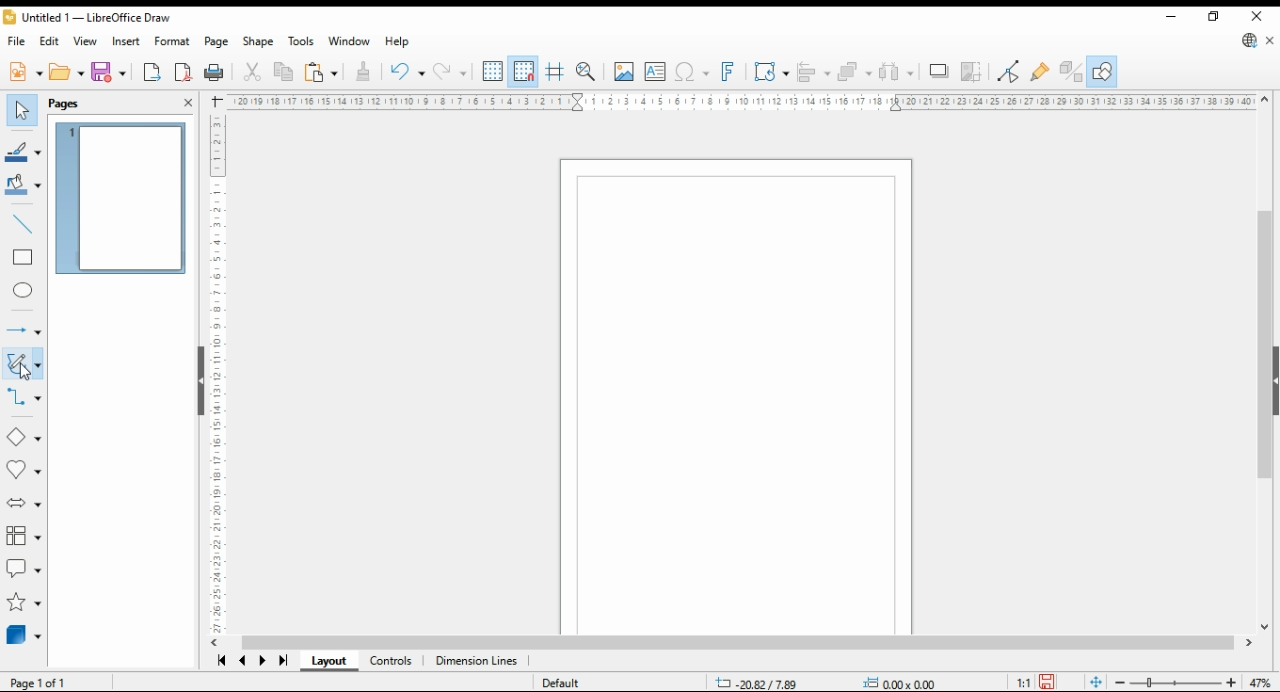 Image resolution: width=1280 pixels, height=692 pixels. Describe the element at coordinates (23, 568) in the screenshot. I see `callout shapes` at that location.